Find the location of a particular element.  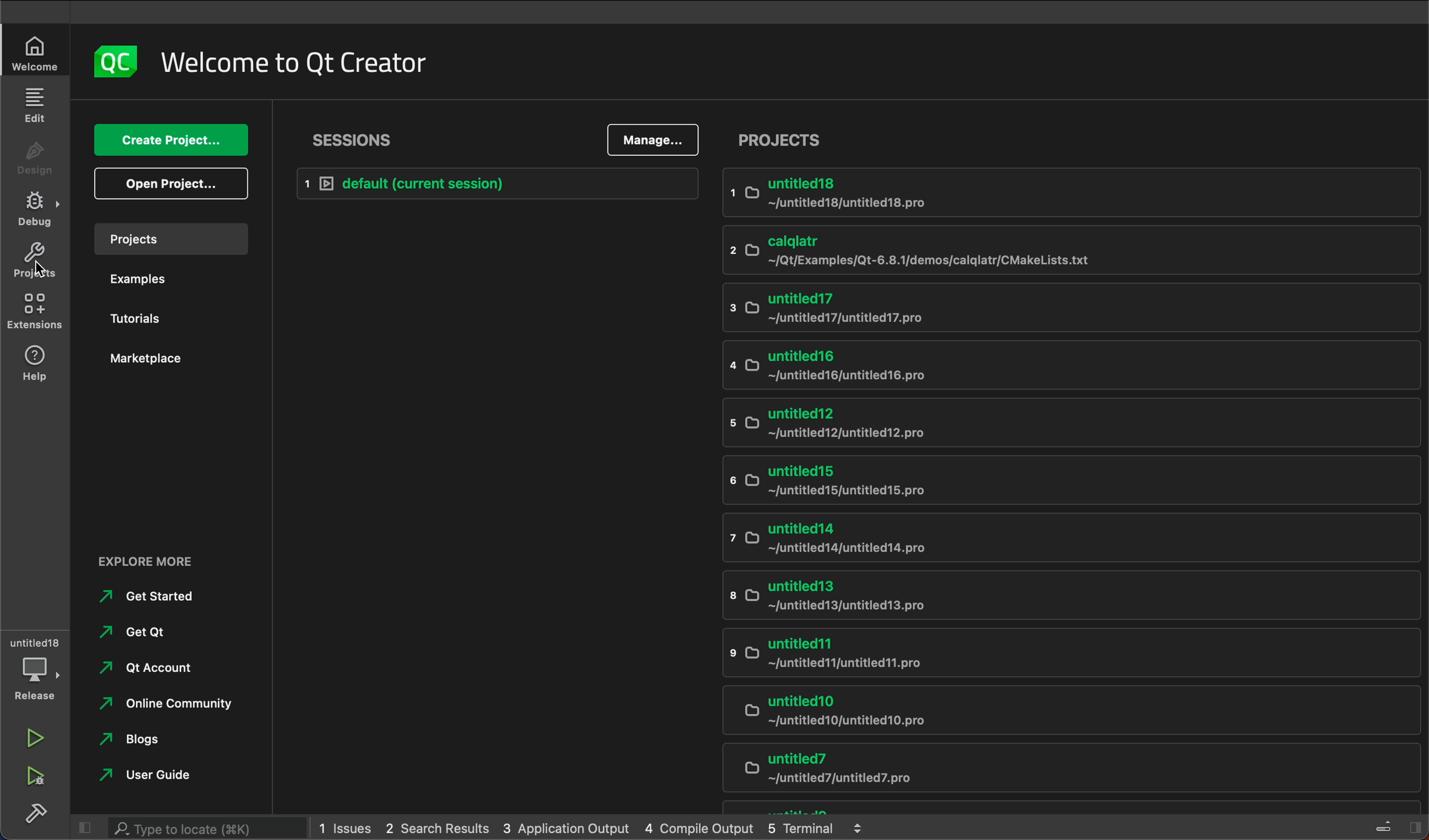

untitled18 is located at coordinates (1063, 193).